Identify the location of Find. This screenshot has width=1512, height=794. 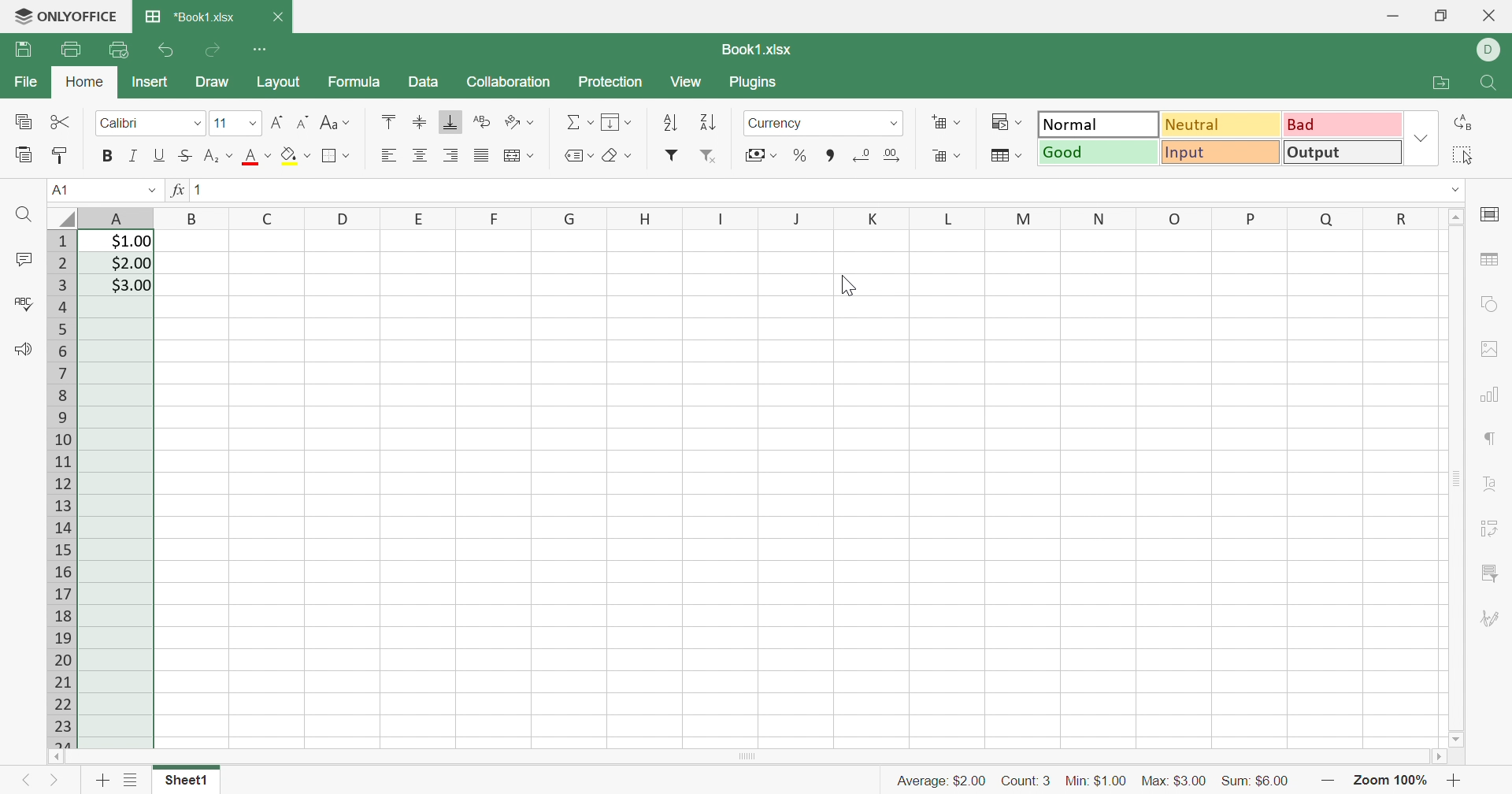
(1491, 84).